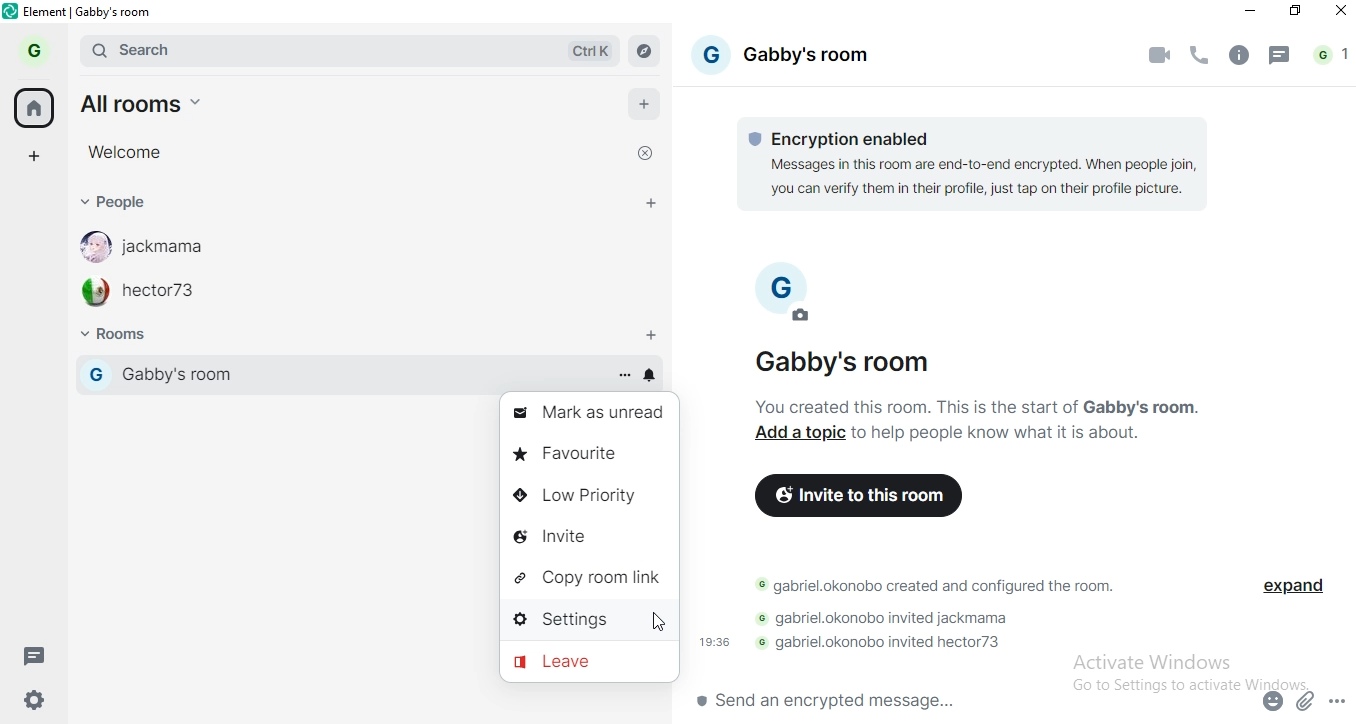 The width and height of the screenshot is (1356, 724). I want to click on restore, so click(1296, 12).